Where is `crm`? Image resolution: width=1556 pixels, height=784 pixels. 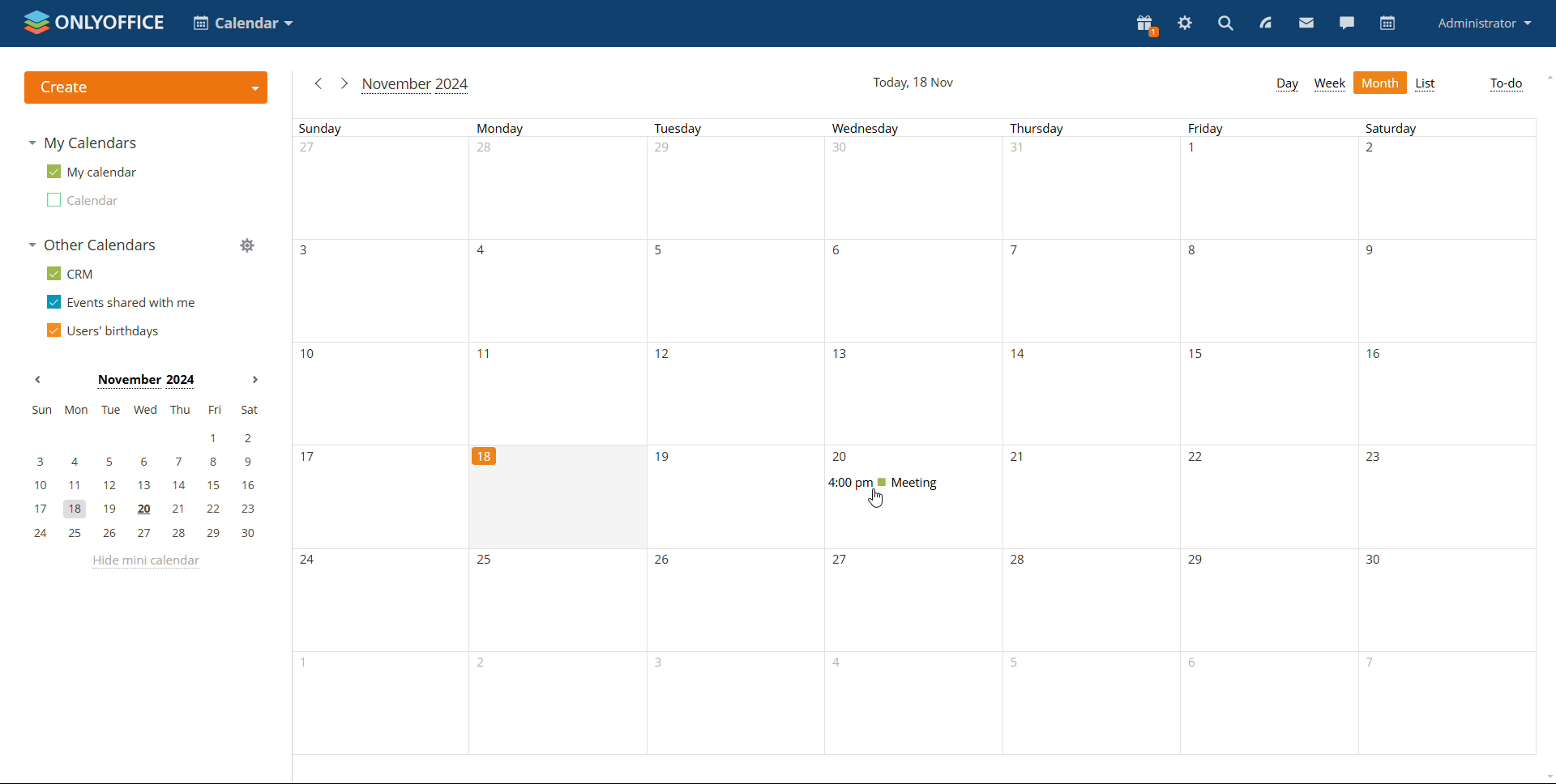 crm is located at coordinates (69, 274).